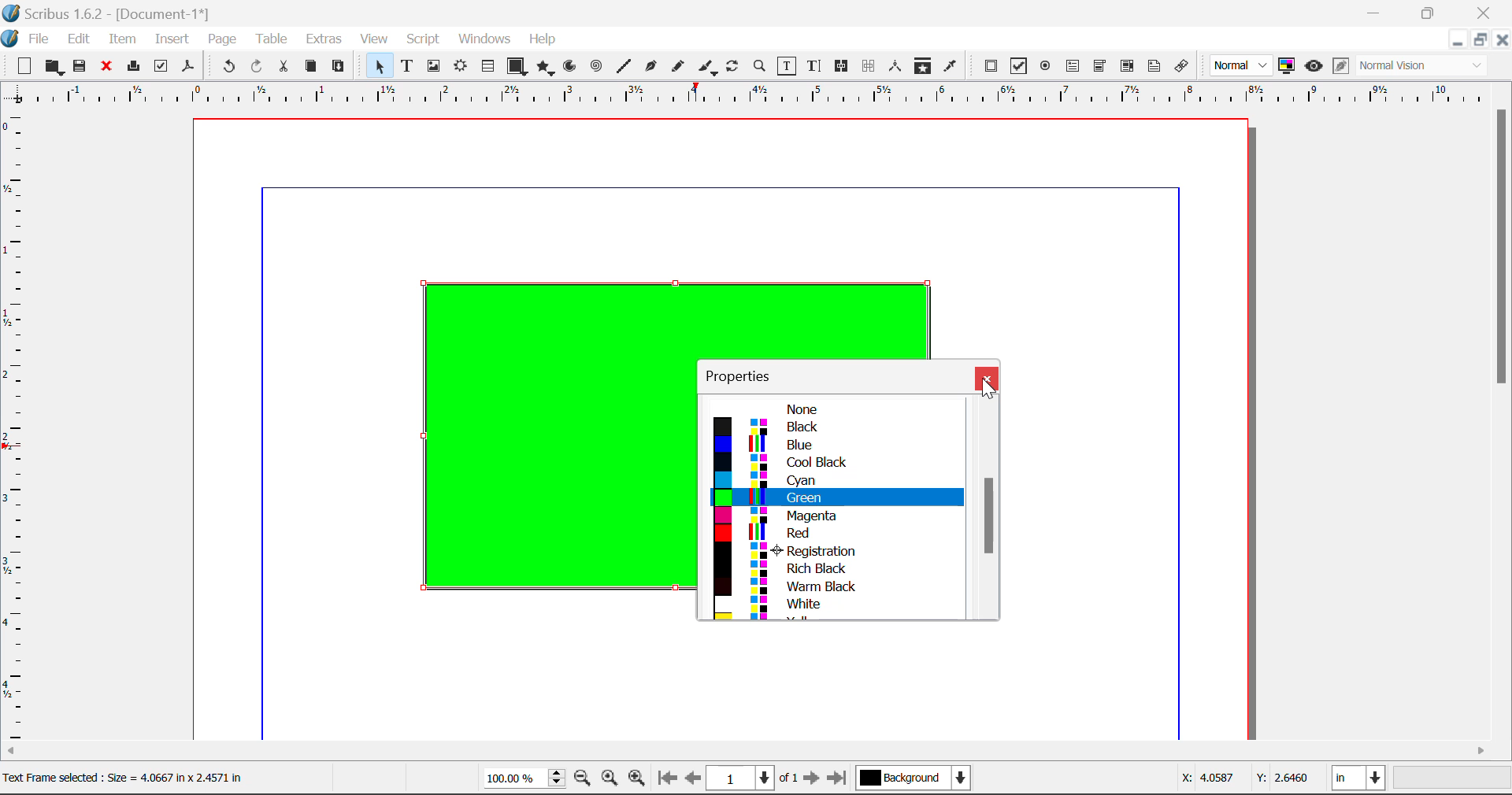 This screenshot has width=1512, height=795. What do you see at coordinates (547, 68) in the screenshot?
I see `Polygon` at bounding box center [547, 68].